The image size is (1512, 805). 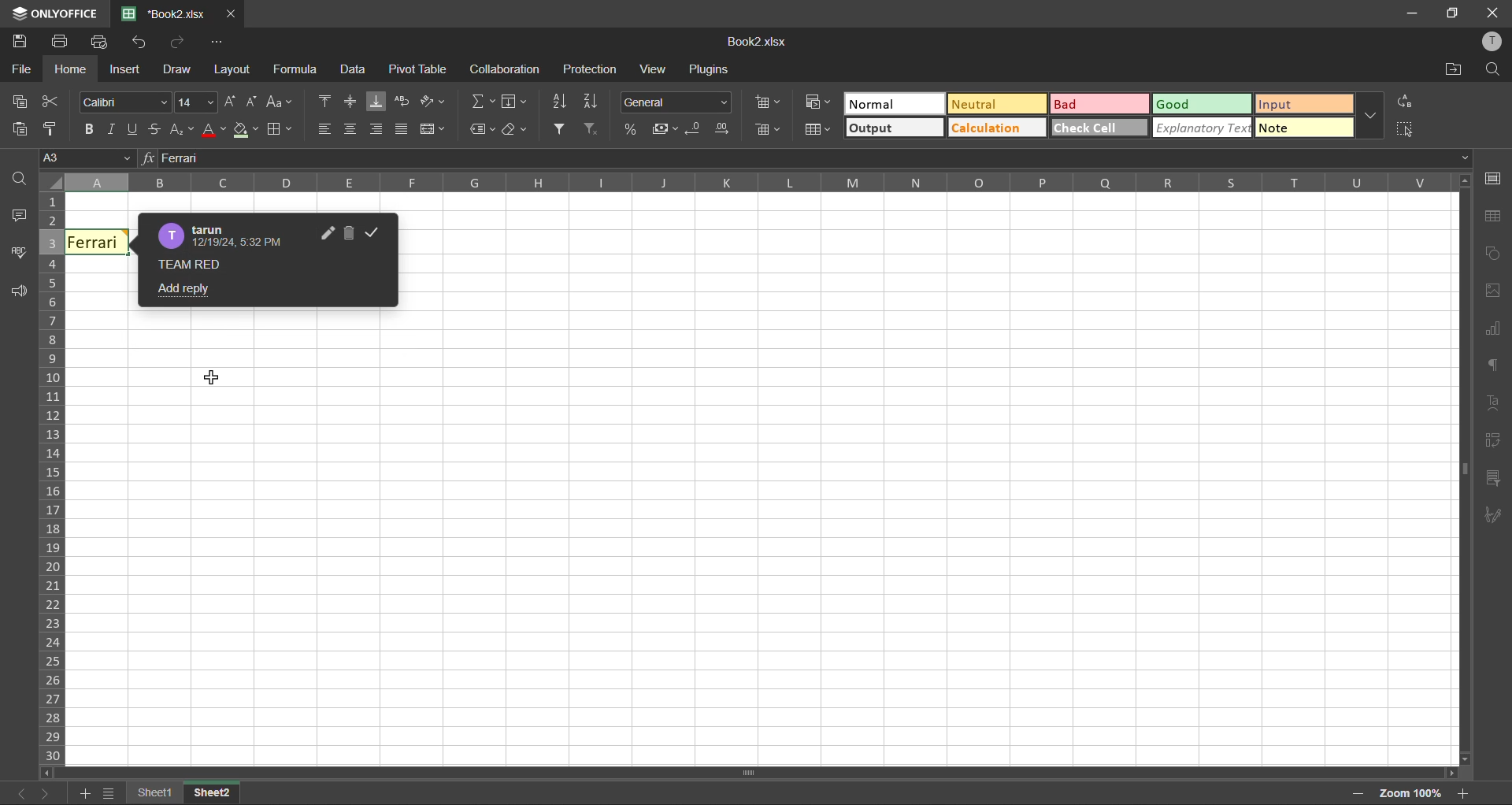 I want to click on copy style, so click(x=52, y=131).